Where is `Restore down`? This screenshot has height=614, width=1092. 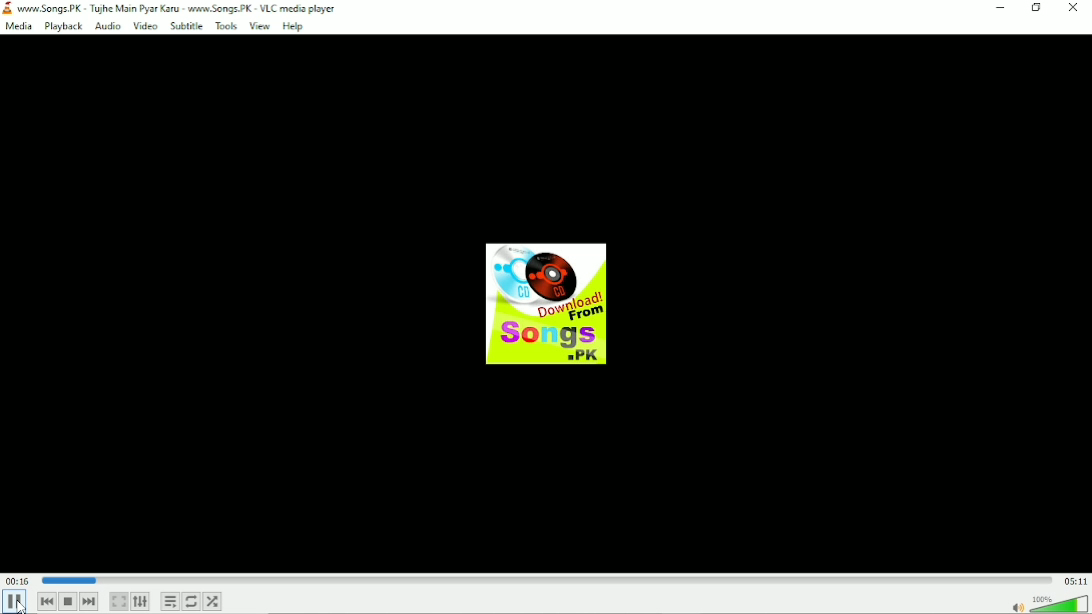 Restore down is located at coordinates (1035, 10).